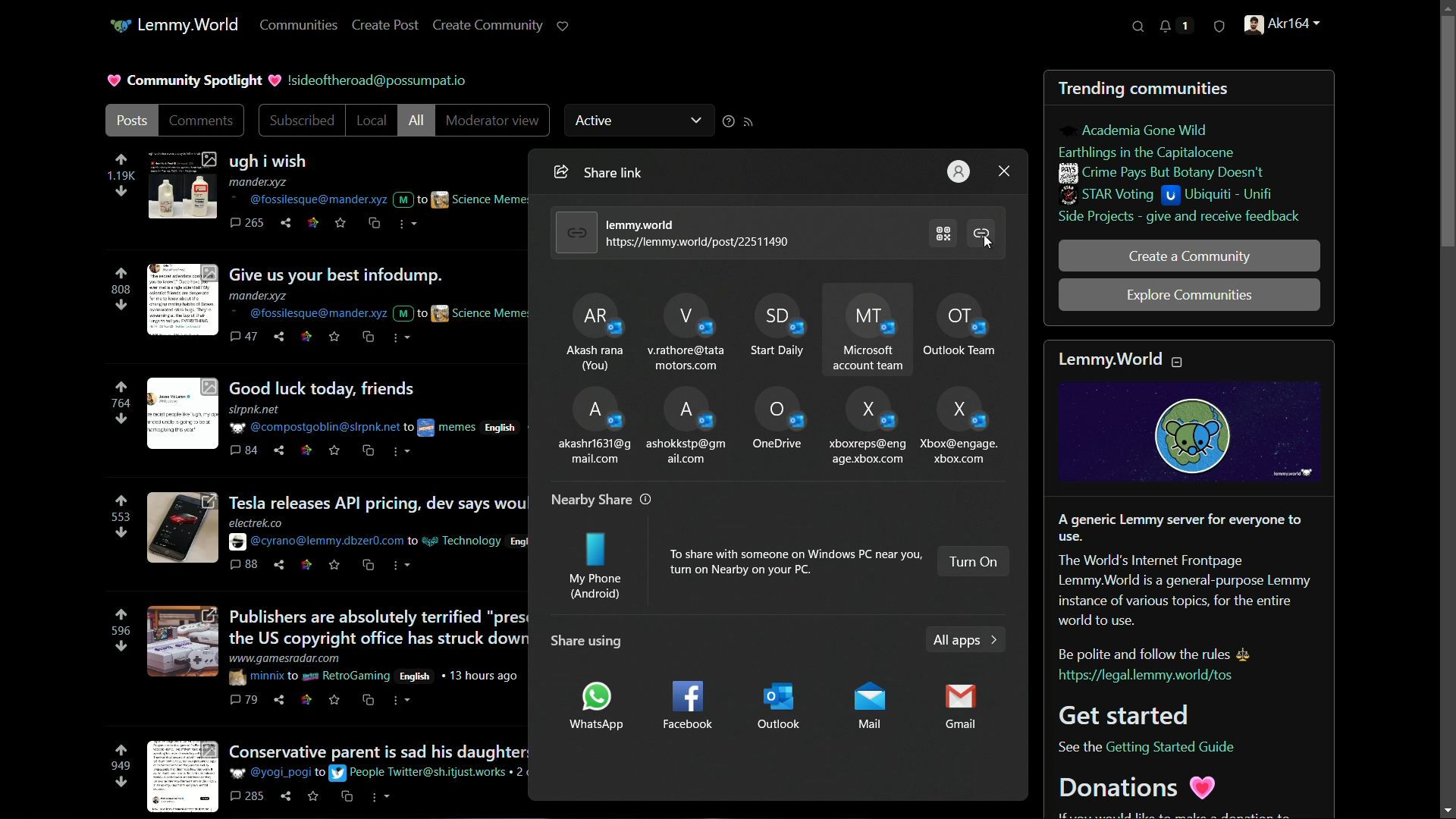 The image size is (1456, 819). I want to click on !sideoftheroad@possumpat.io, so click(383, 80).